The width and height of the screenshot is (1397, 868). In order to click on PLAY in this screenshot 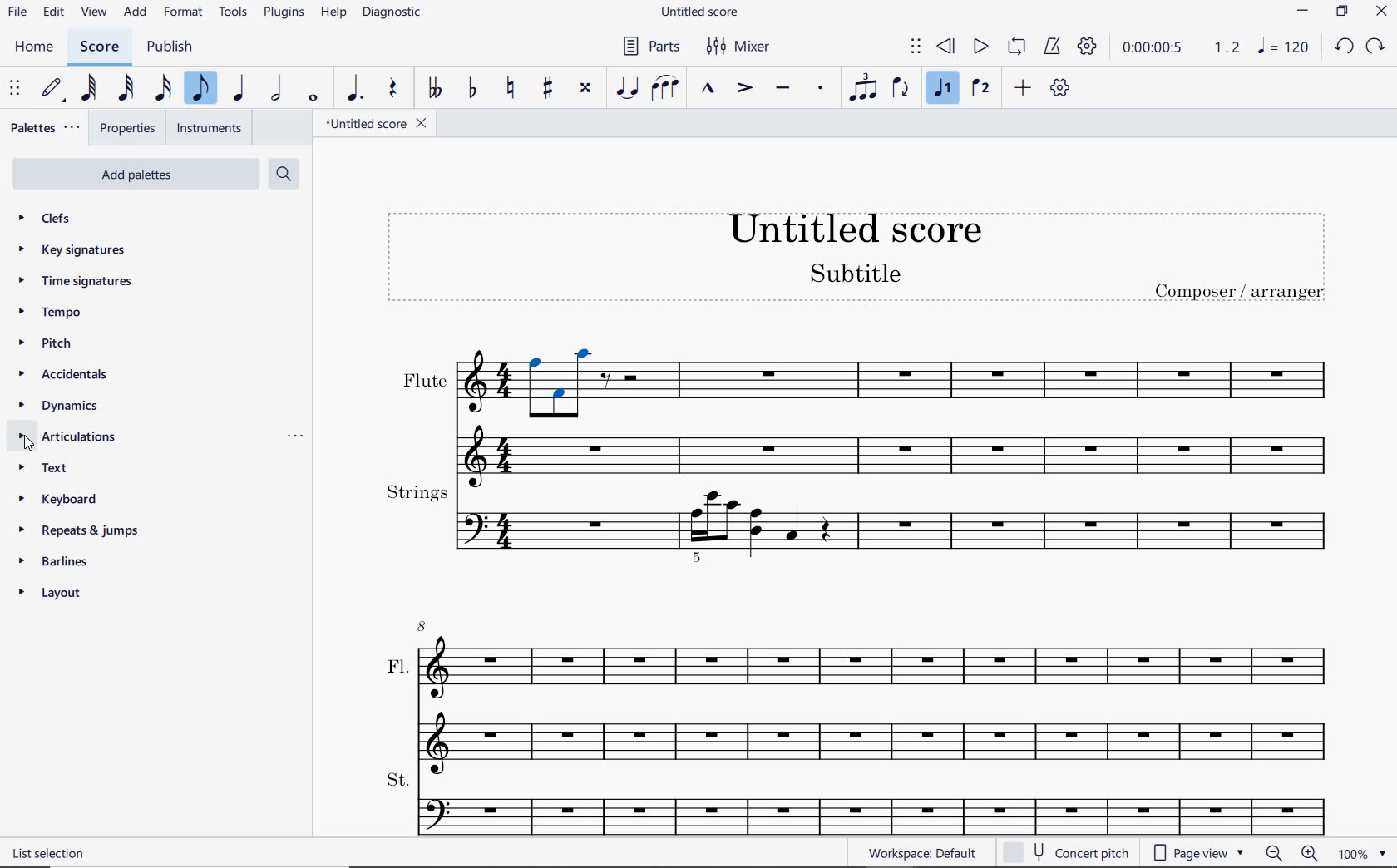, I will do `click(980, 46)`.